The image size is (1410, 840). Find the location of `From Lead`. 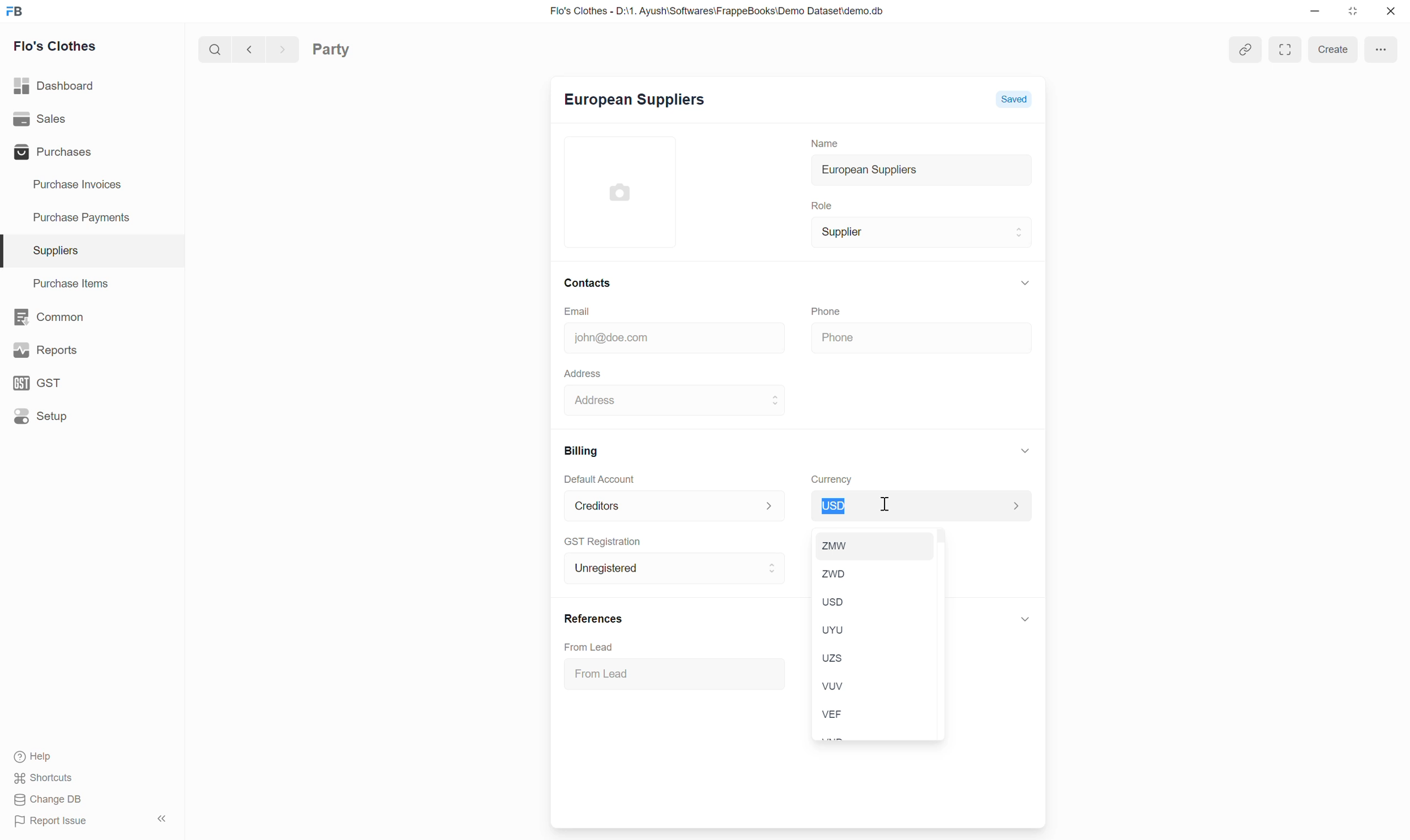

From Lead is located at coordinates (608, 672).